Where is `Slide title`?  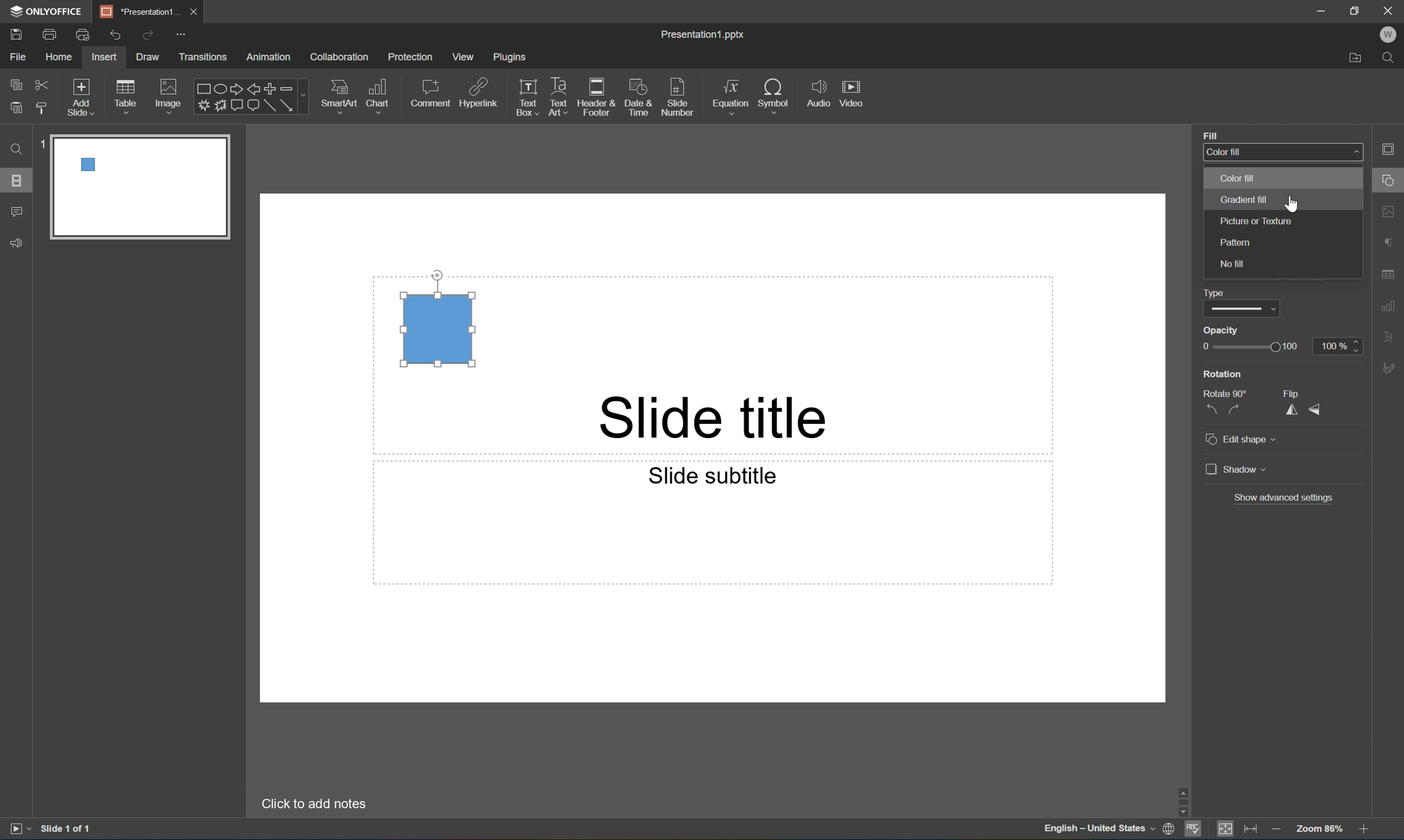 Slide title is located at coordinates (733, 419).